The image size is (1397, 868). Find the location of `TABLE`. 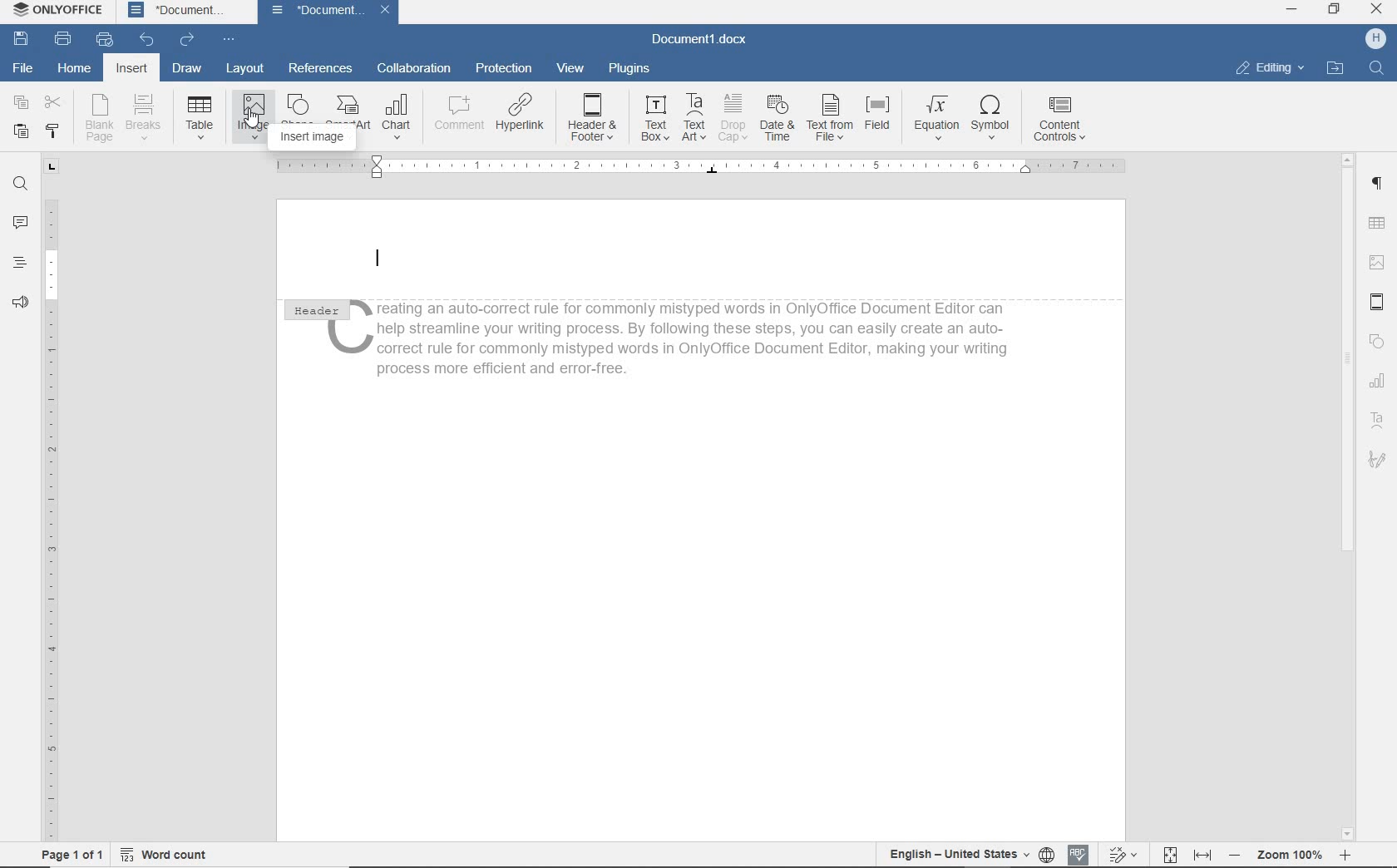

TABLE is located at coordinates (1375, 224).